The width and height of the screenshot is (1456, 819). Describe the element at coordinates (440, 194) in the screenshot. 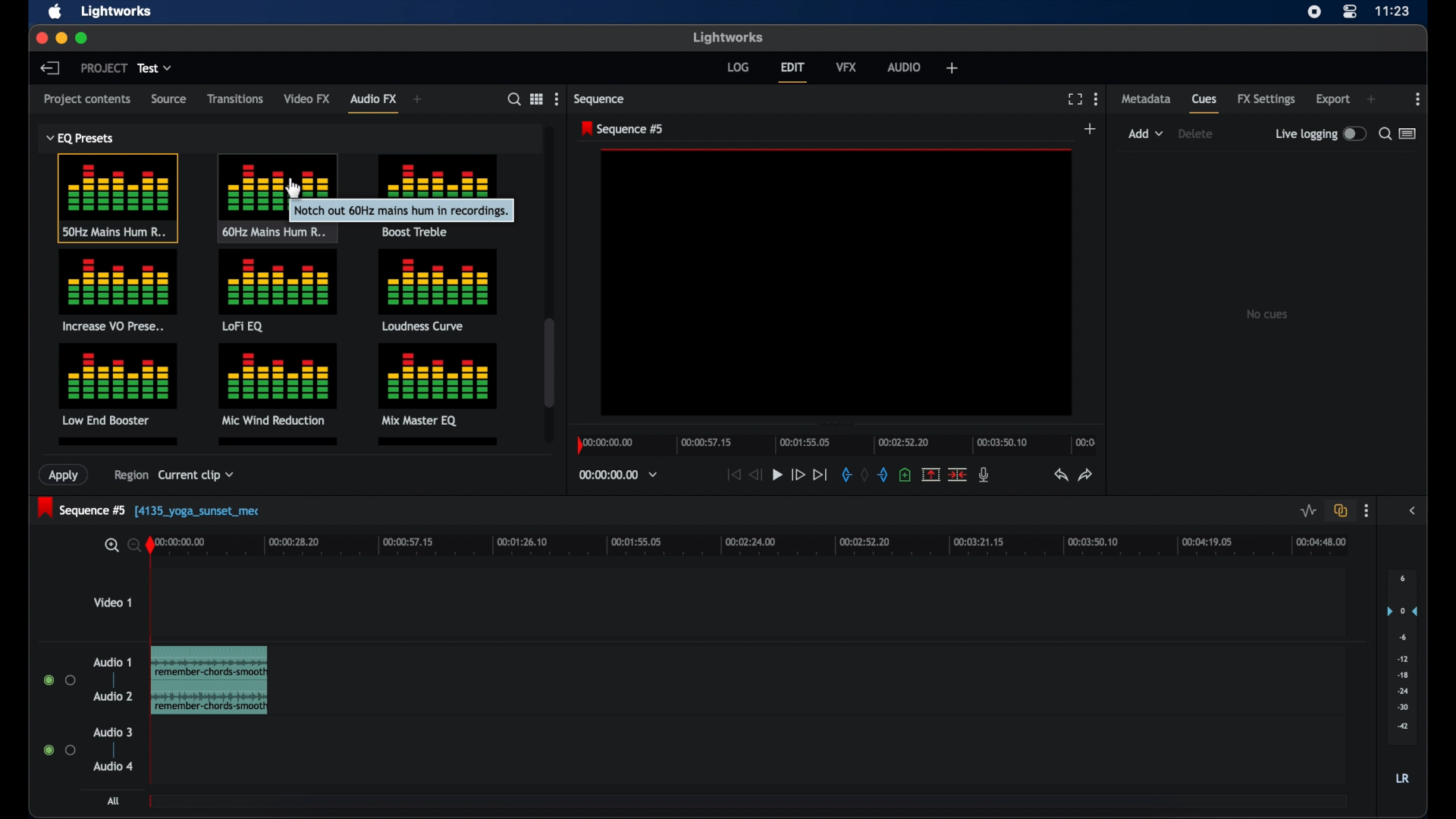

I see `boost treble` at that location.